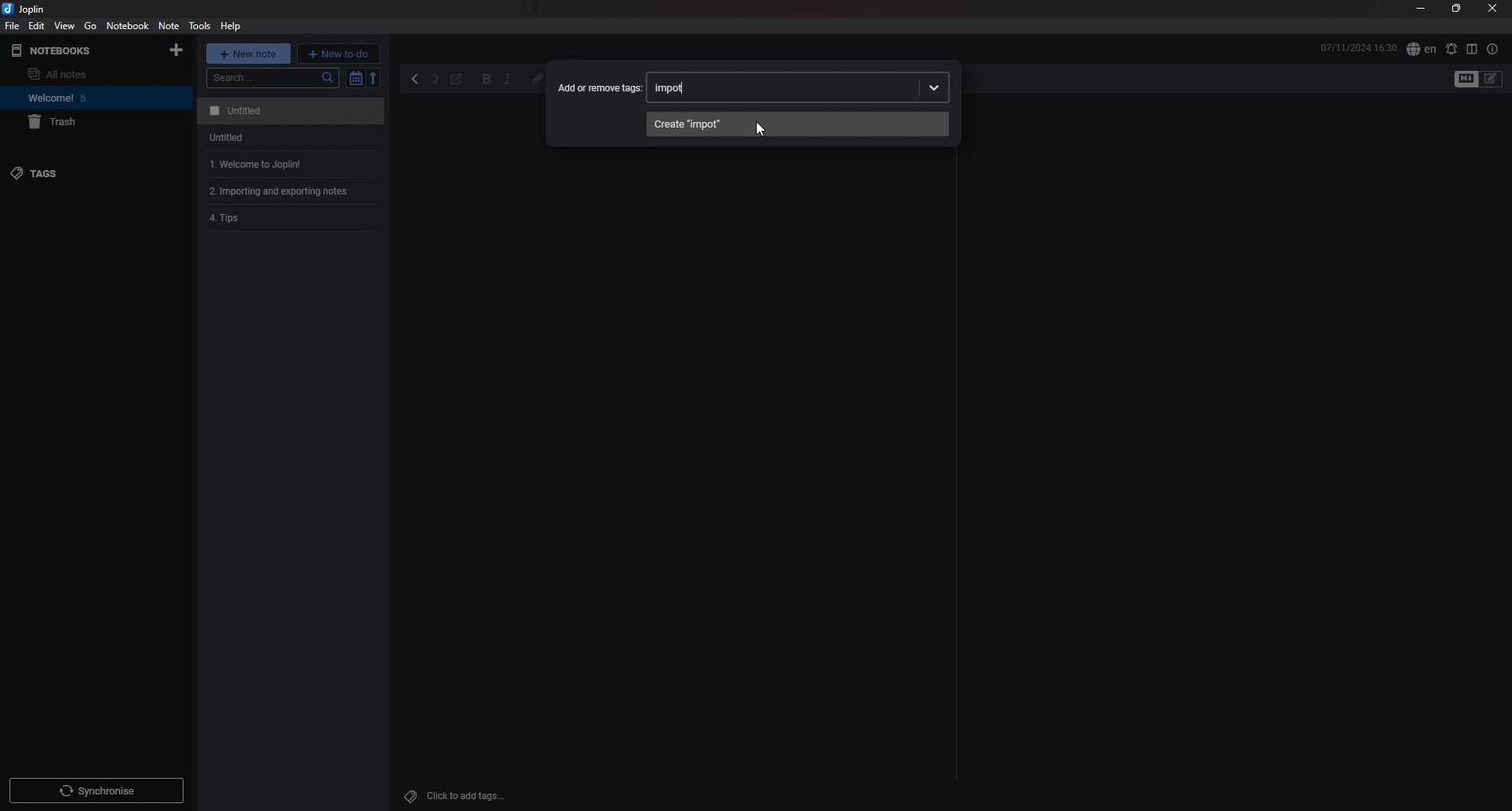 The height and width of the screenshot is (811, 1512). I want to click on edit, so click(35, 25).